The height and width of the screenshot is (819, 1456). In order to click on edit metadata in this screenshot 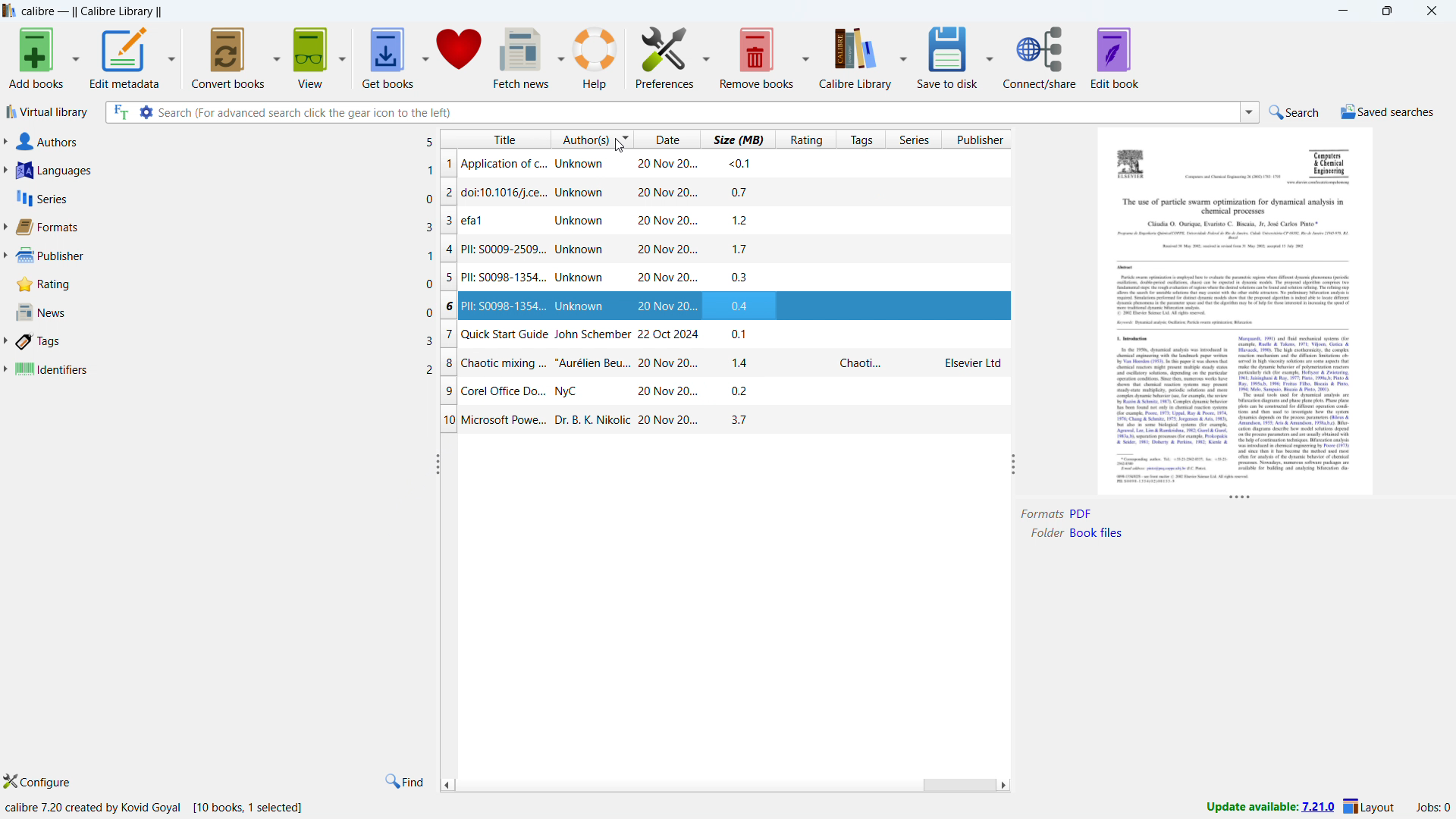, I will do `click(124, 58)`.